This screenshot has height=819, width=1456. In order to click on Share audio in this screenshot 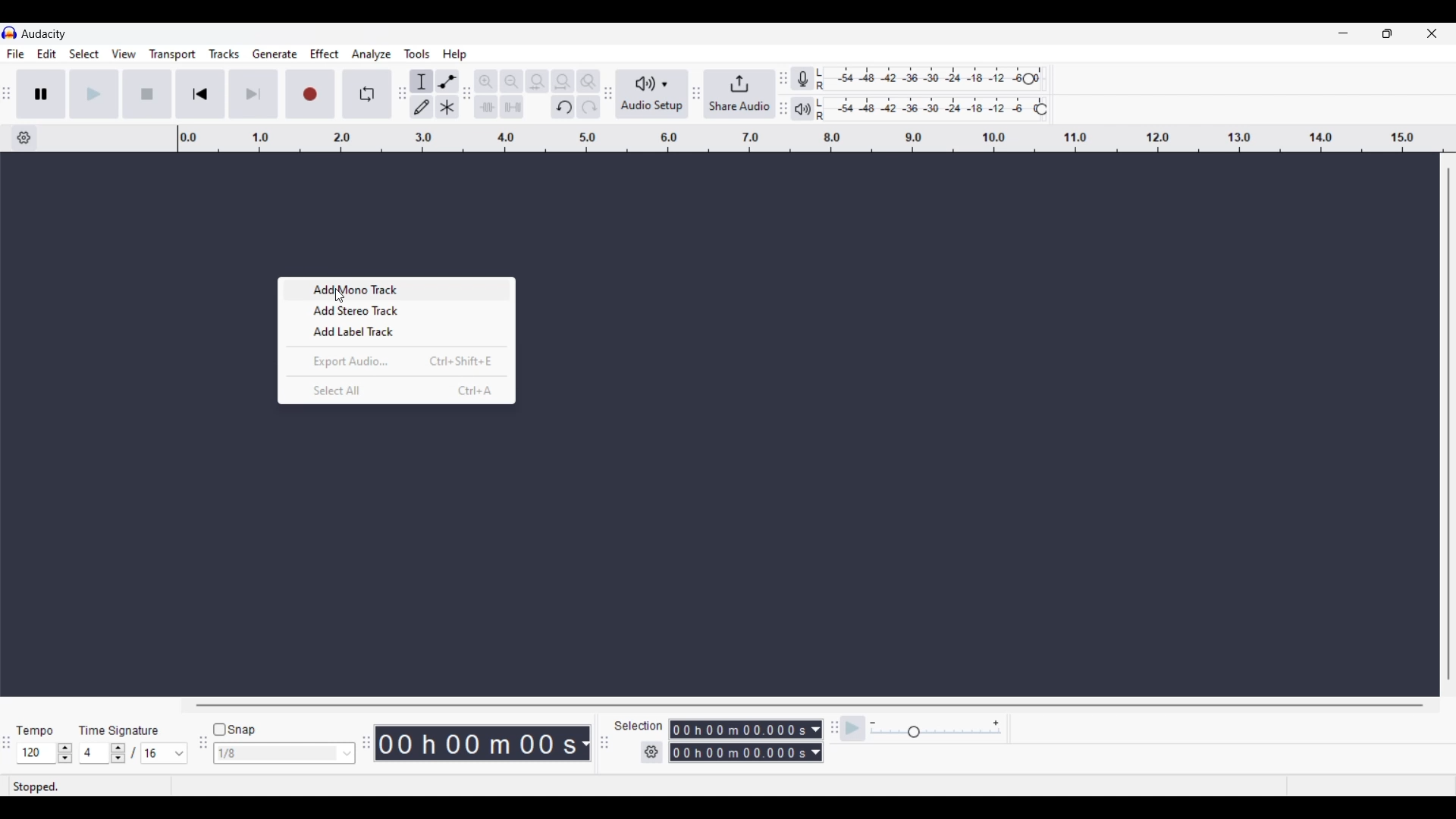, I will do `click(739, 94)`.